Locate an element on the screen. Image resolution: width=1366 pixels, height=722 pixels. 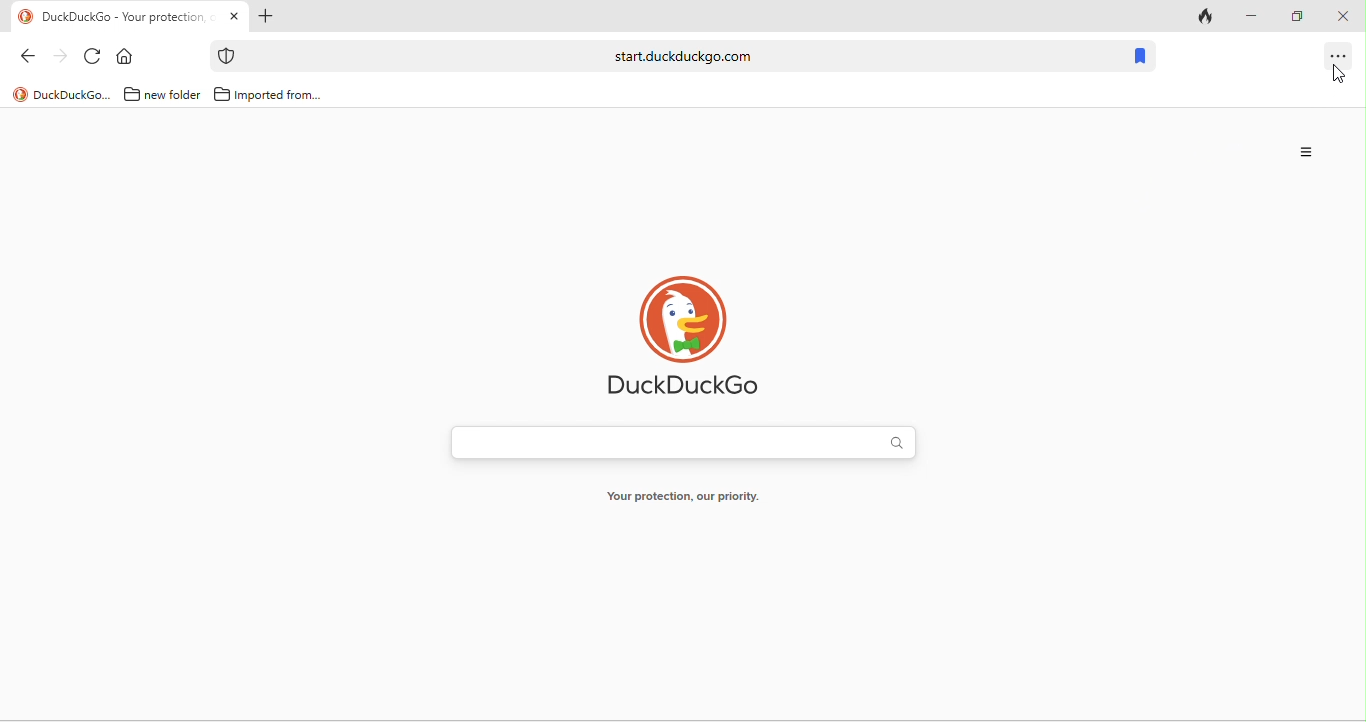
minimize is located at coordinates (1253, 16).